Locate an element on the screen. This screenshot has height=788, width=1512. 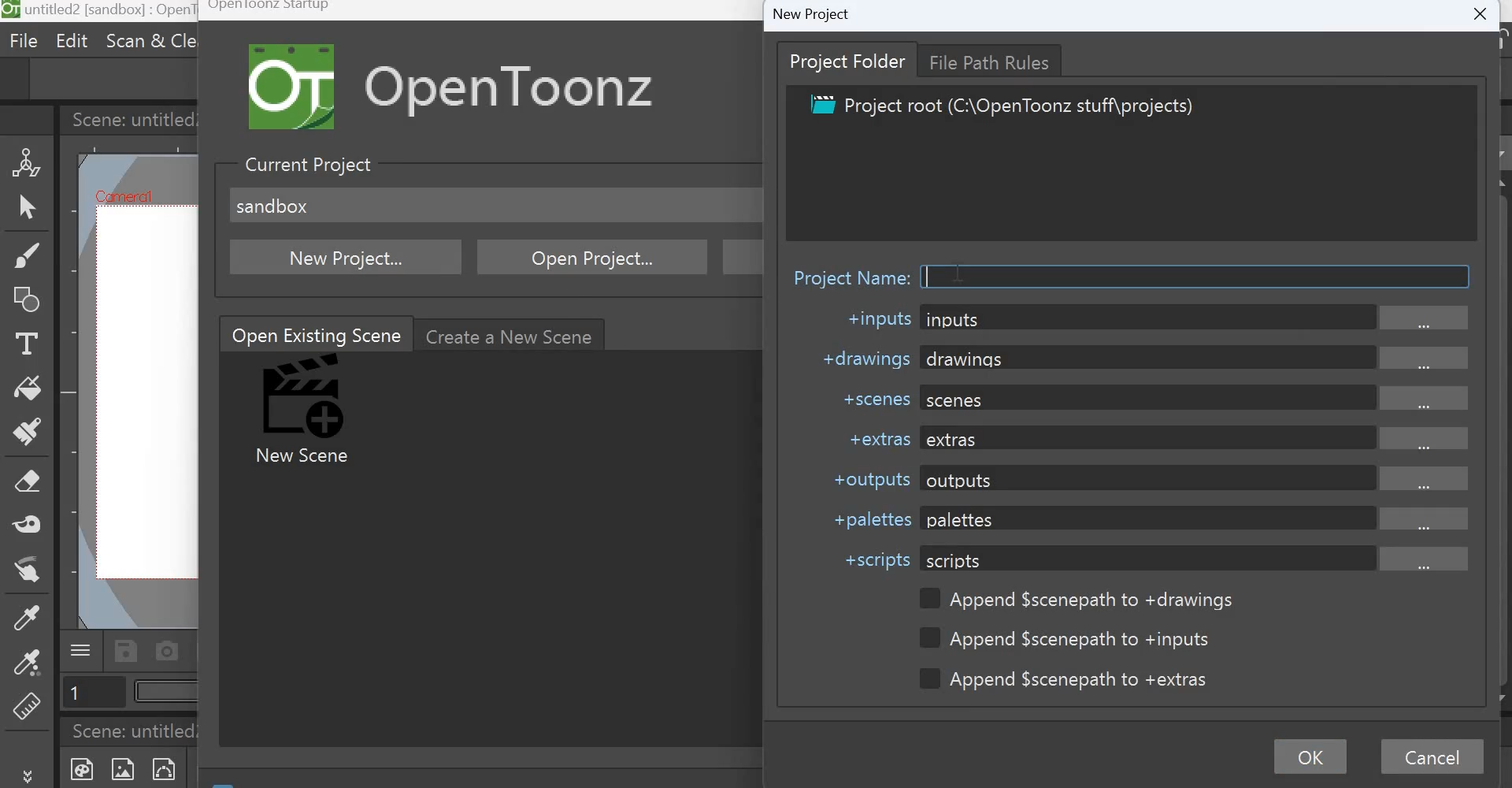
New Vector level is located at coordinates (172, 768).